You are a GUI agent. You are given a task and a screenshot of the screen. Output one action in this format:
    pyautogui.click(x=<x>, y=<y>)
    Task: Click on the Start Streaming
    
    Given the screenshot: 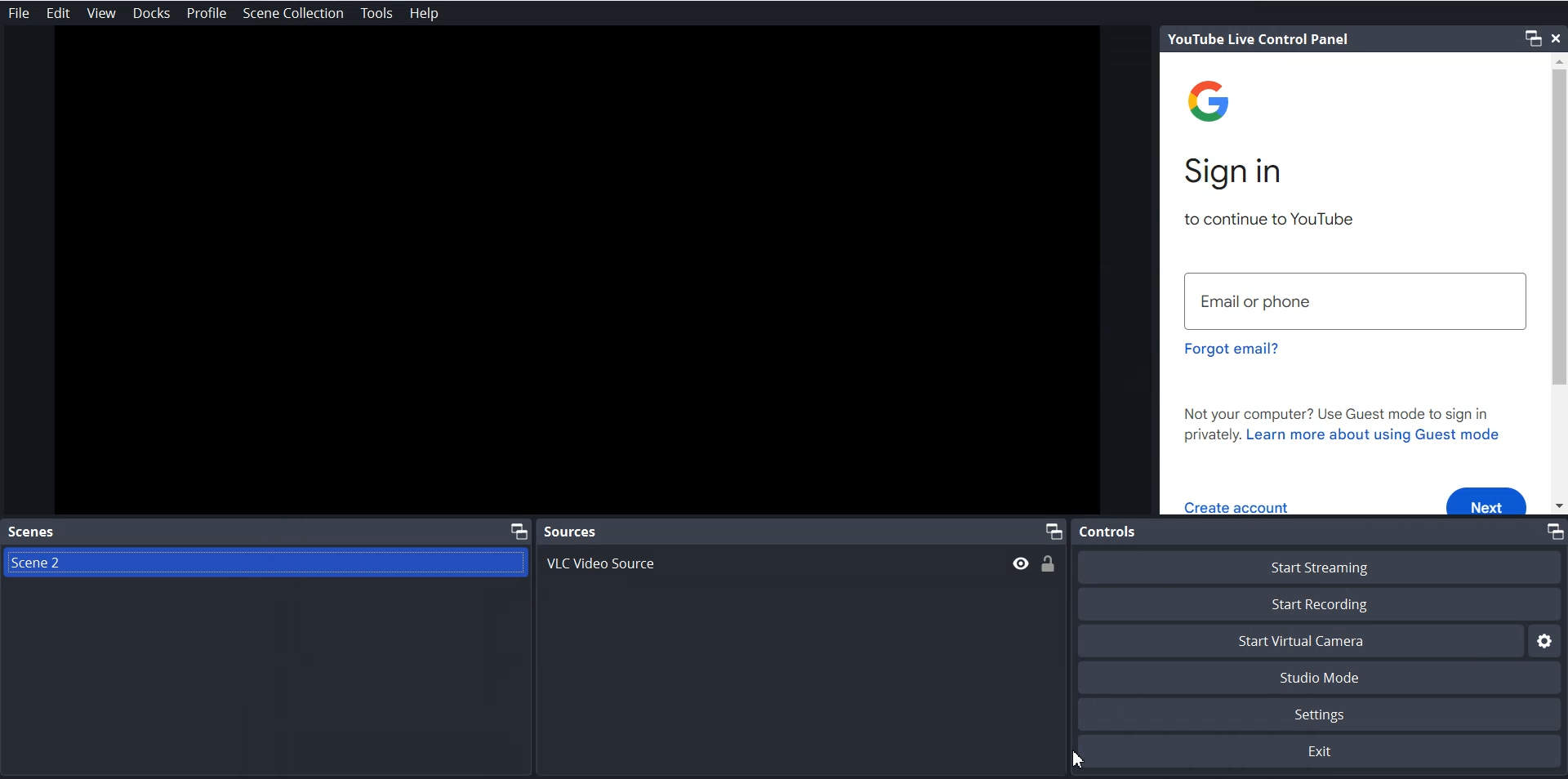 What is the action you would take?
    pyautogui.click(x=1322, y=566)
    